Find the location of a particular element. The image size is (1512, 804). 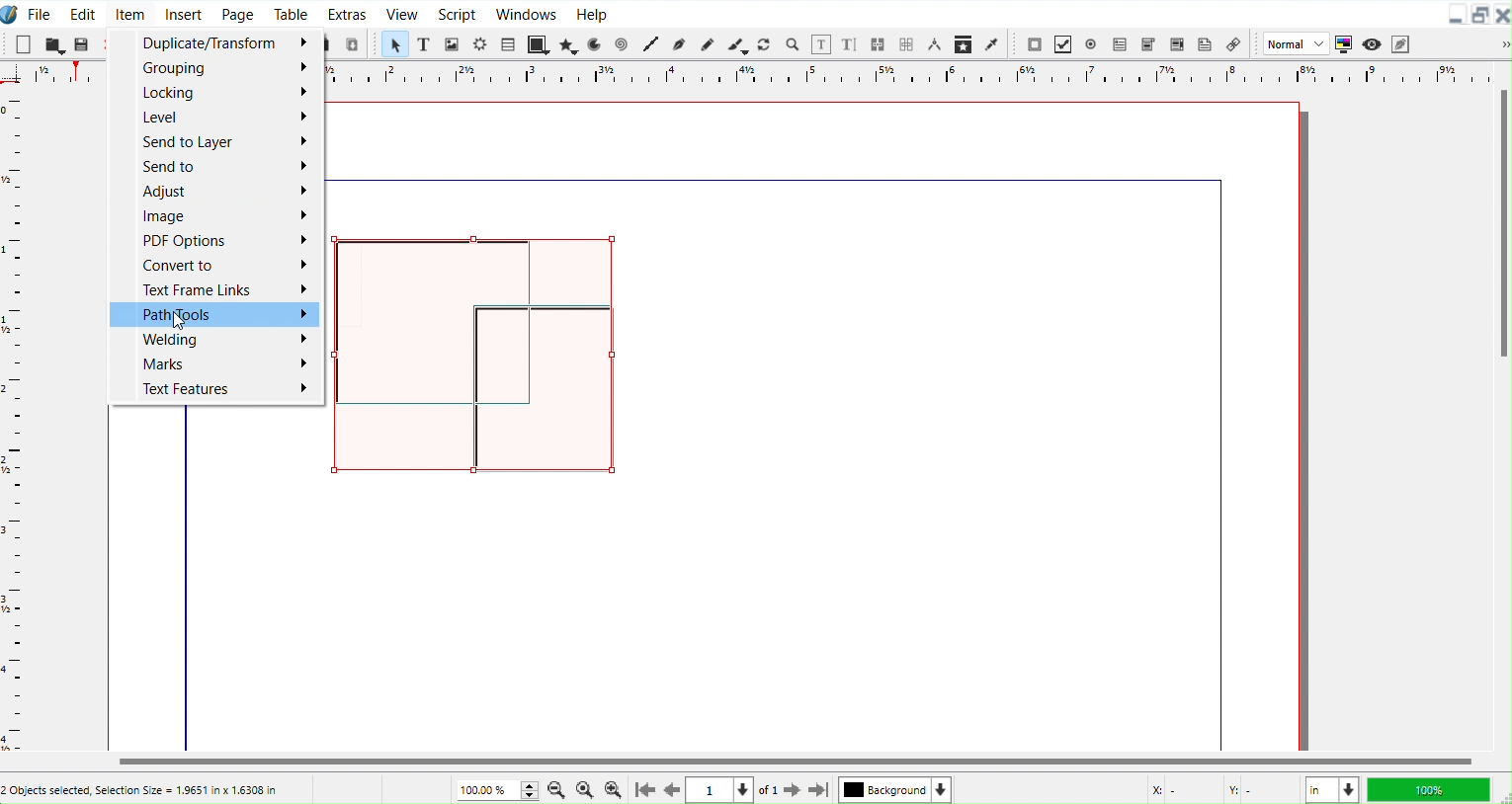

Spiral is located at coordinates (623, 43).